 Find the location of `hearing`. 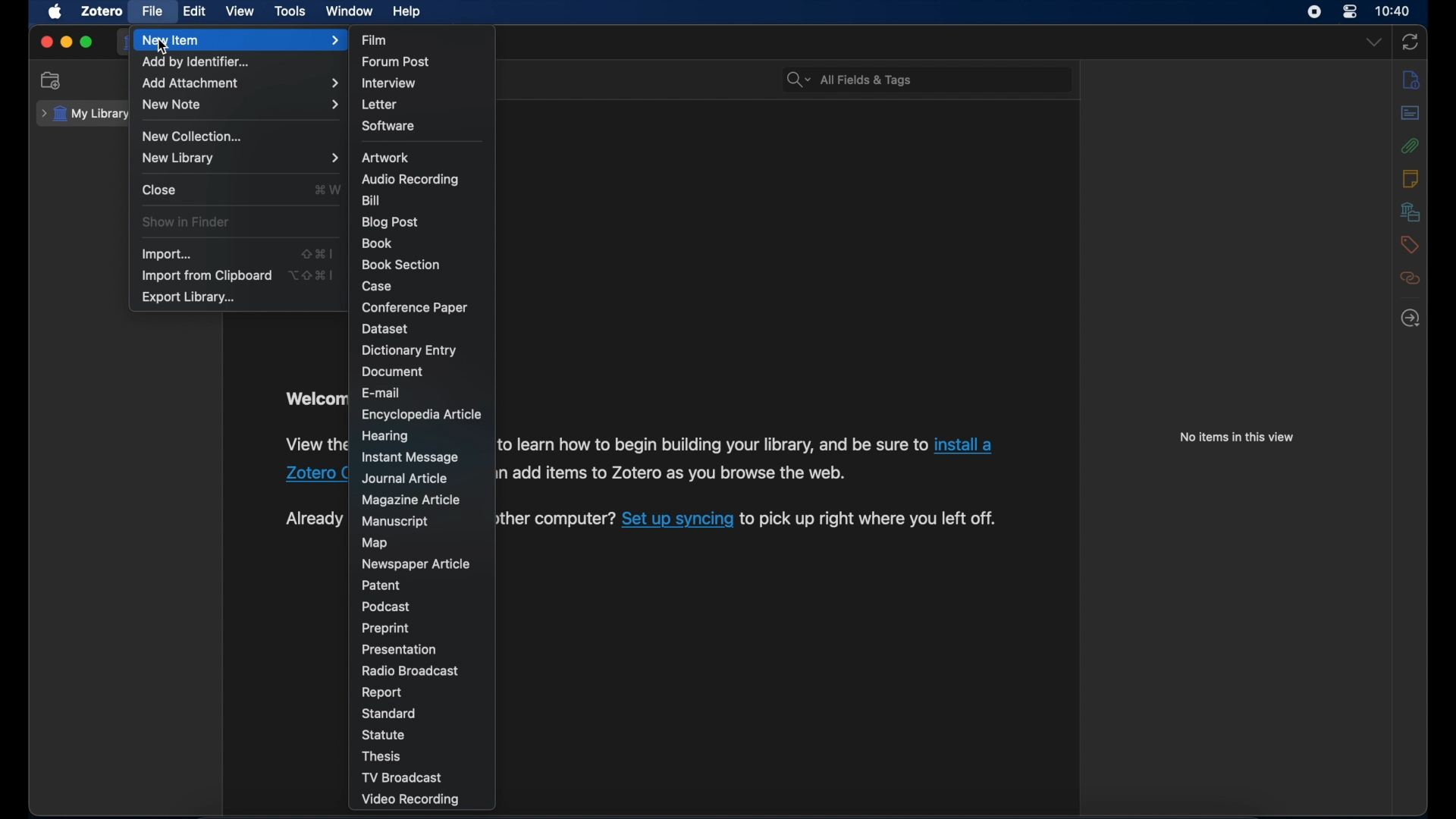

hearing is located at coordinates (385, 436).